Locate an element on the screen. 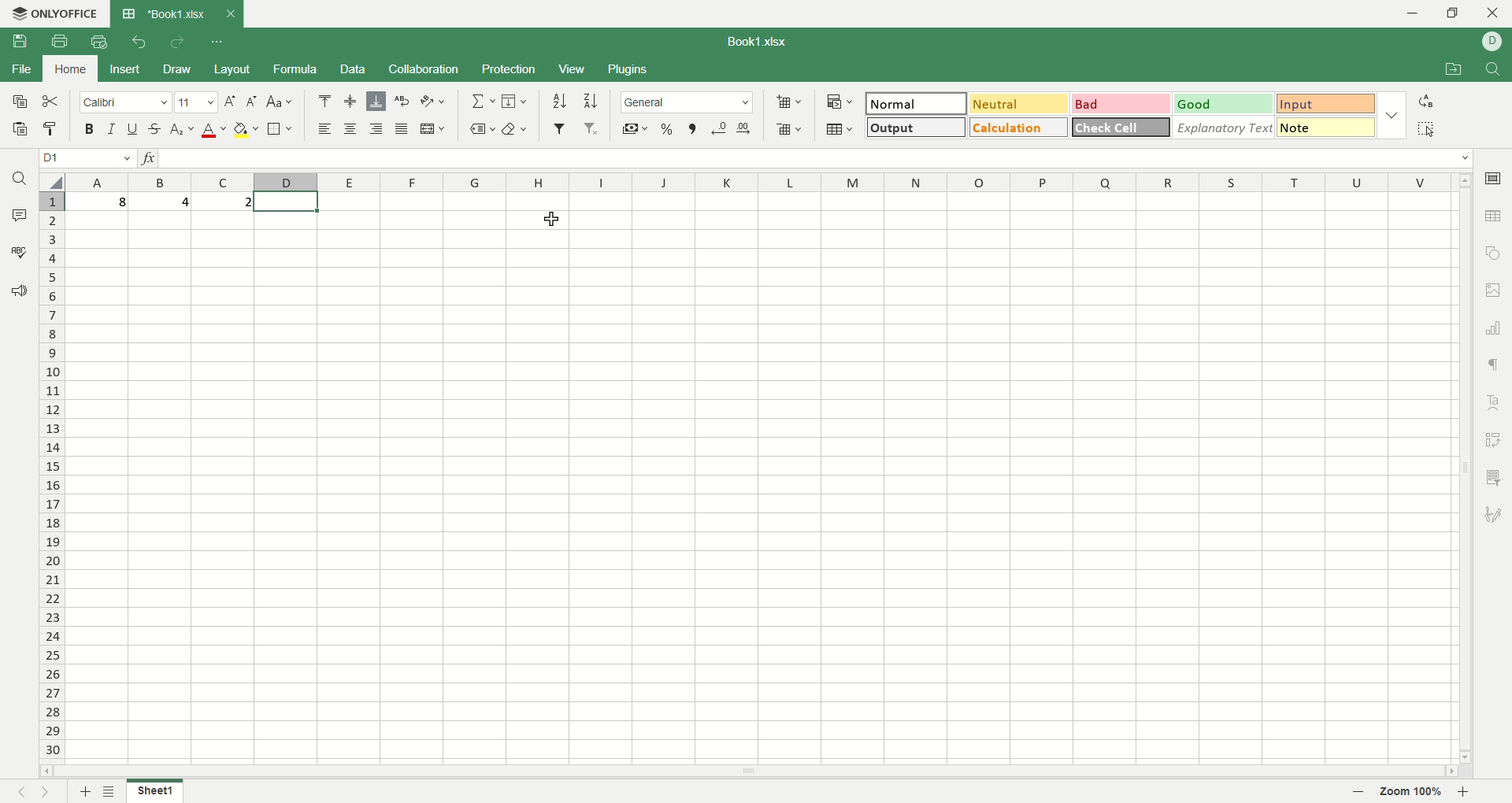 Image resolution: width=1512 pixels, height=803 pixels. save is located at coordinates (21, 41).